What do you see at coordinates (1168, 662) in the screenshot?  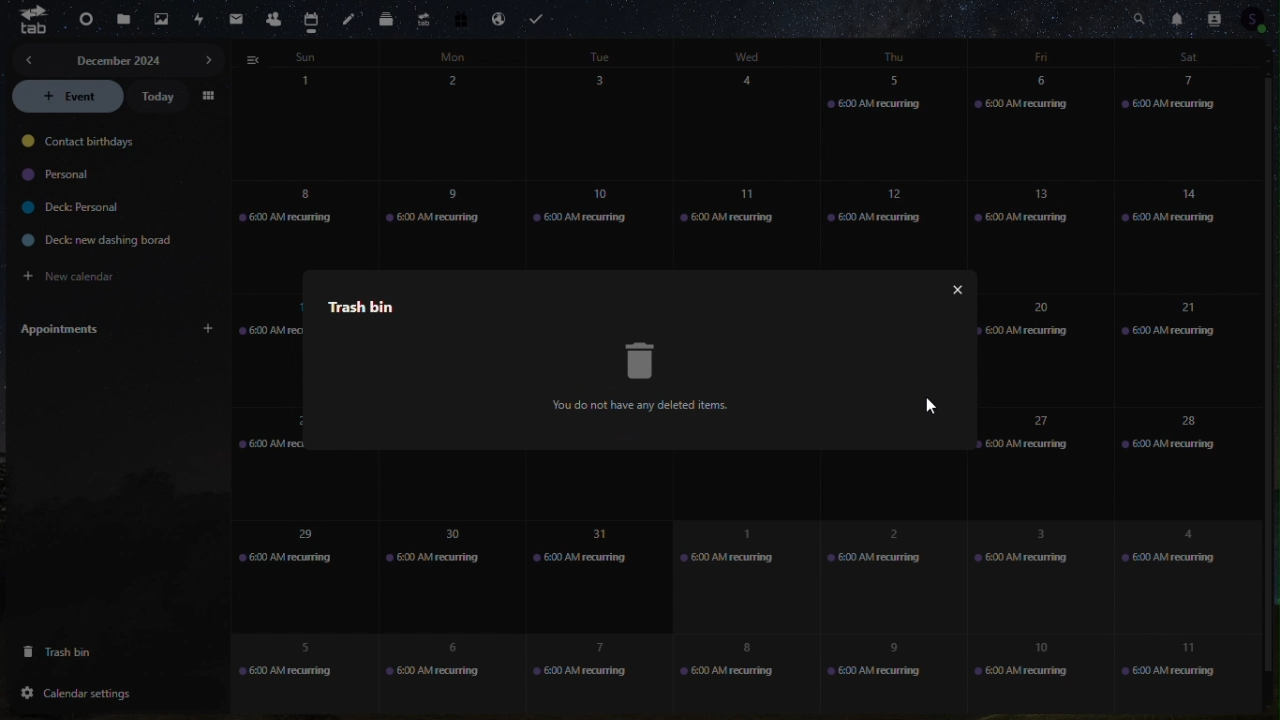 I see `11` at bounding box center [1168, 662].